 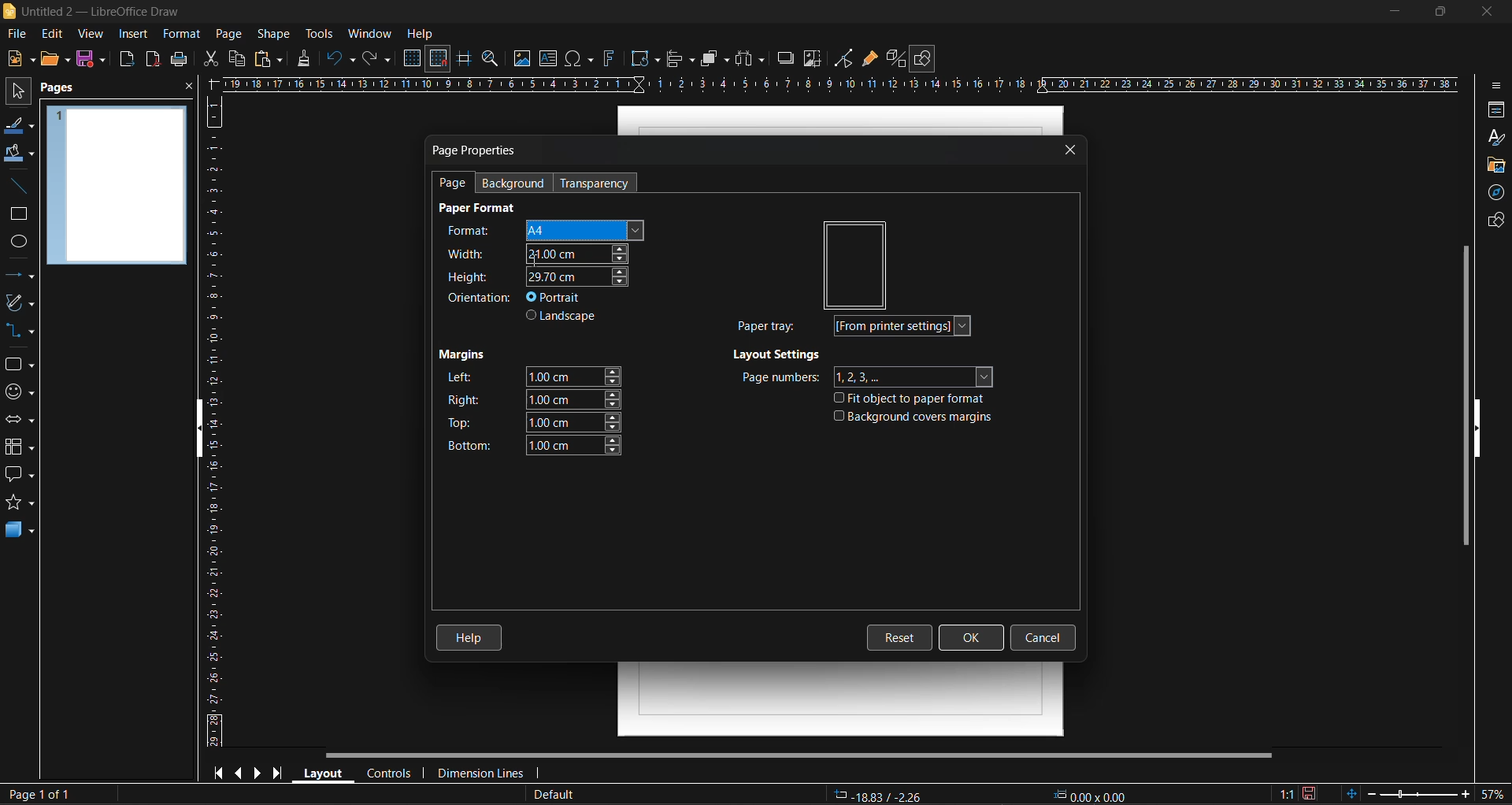 What do you see at coordinates (1499, 86) in the screenshot?
I see `sidebar settings` at bounding box center [1499, 86].